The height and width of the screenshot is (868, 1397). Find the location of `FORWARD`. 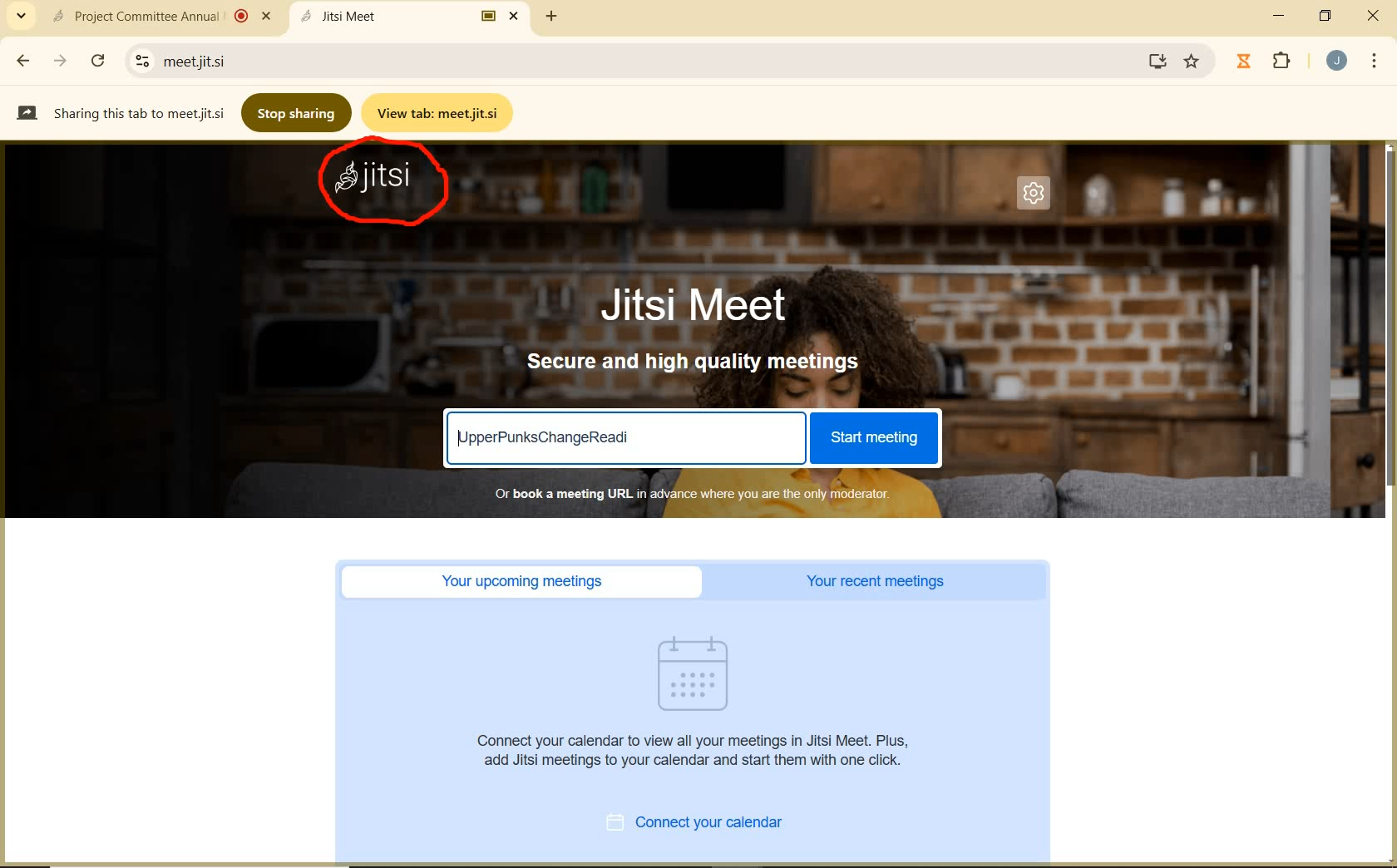

FORWARD is located at coordinates (62, 61).